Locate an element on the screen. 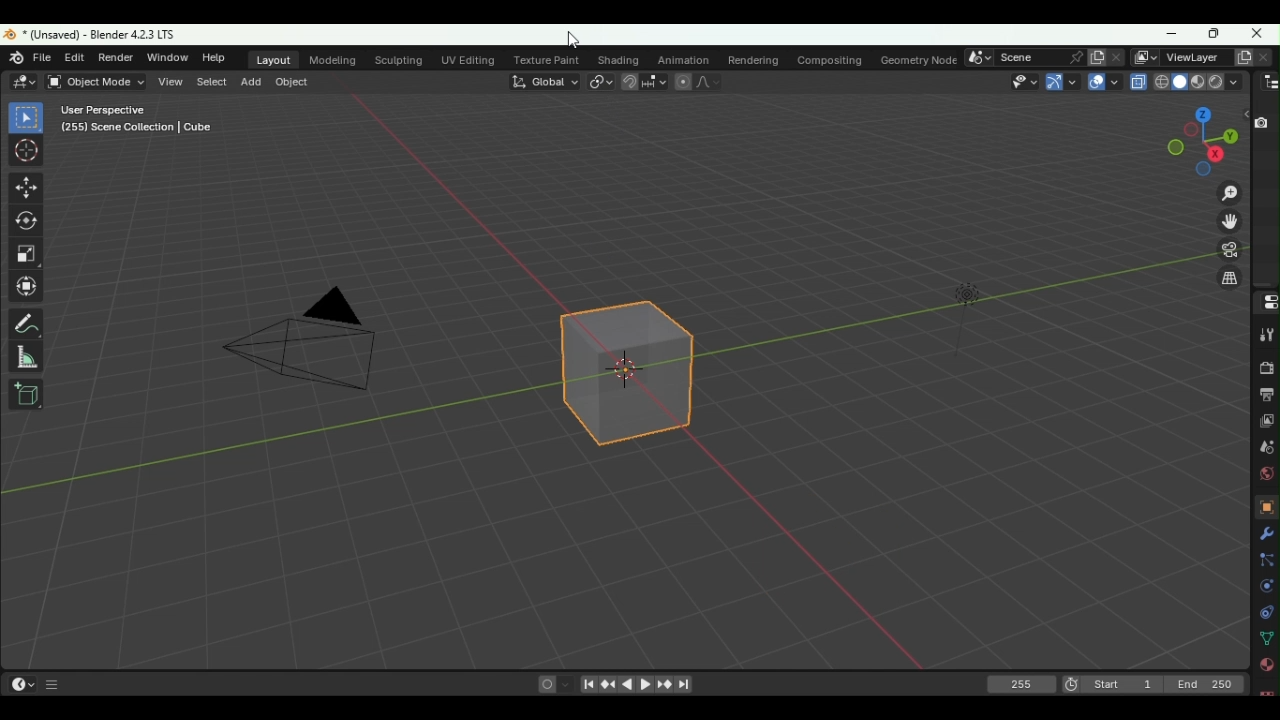 The height and width of the screenshot is (720, 1280). Minimize is located at coordinates (1170, 35).